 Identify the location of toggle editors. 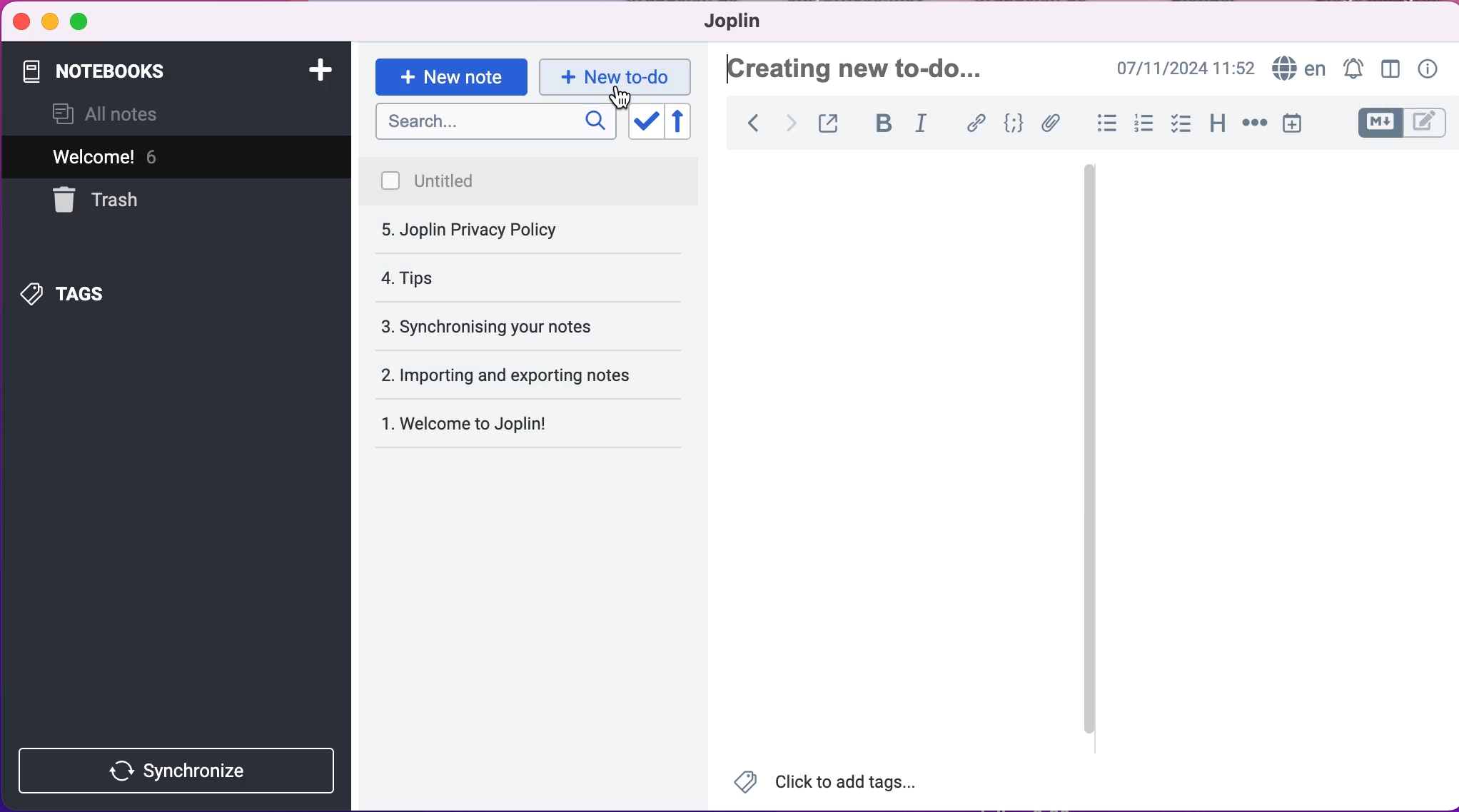
(1389, 123).